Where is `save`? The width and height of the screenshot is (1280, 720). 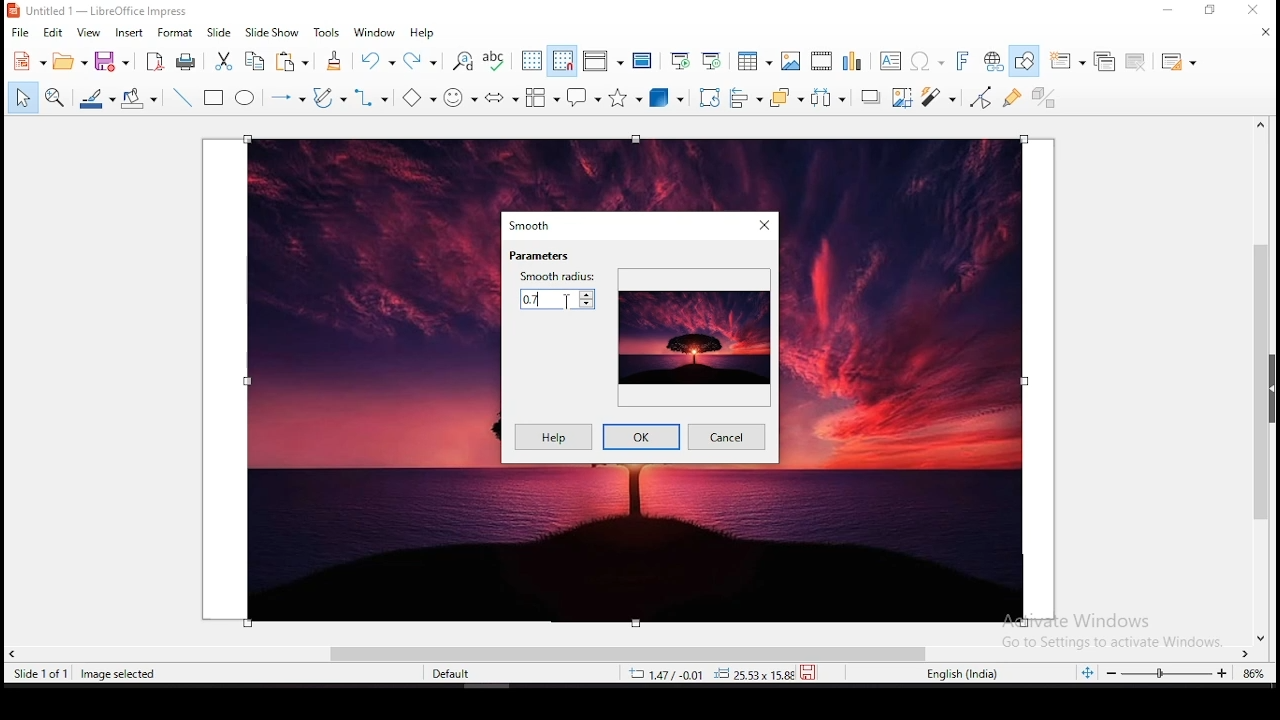
save is located at coordinates (112, 60).